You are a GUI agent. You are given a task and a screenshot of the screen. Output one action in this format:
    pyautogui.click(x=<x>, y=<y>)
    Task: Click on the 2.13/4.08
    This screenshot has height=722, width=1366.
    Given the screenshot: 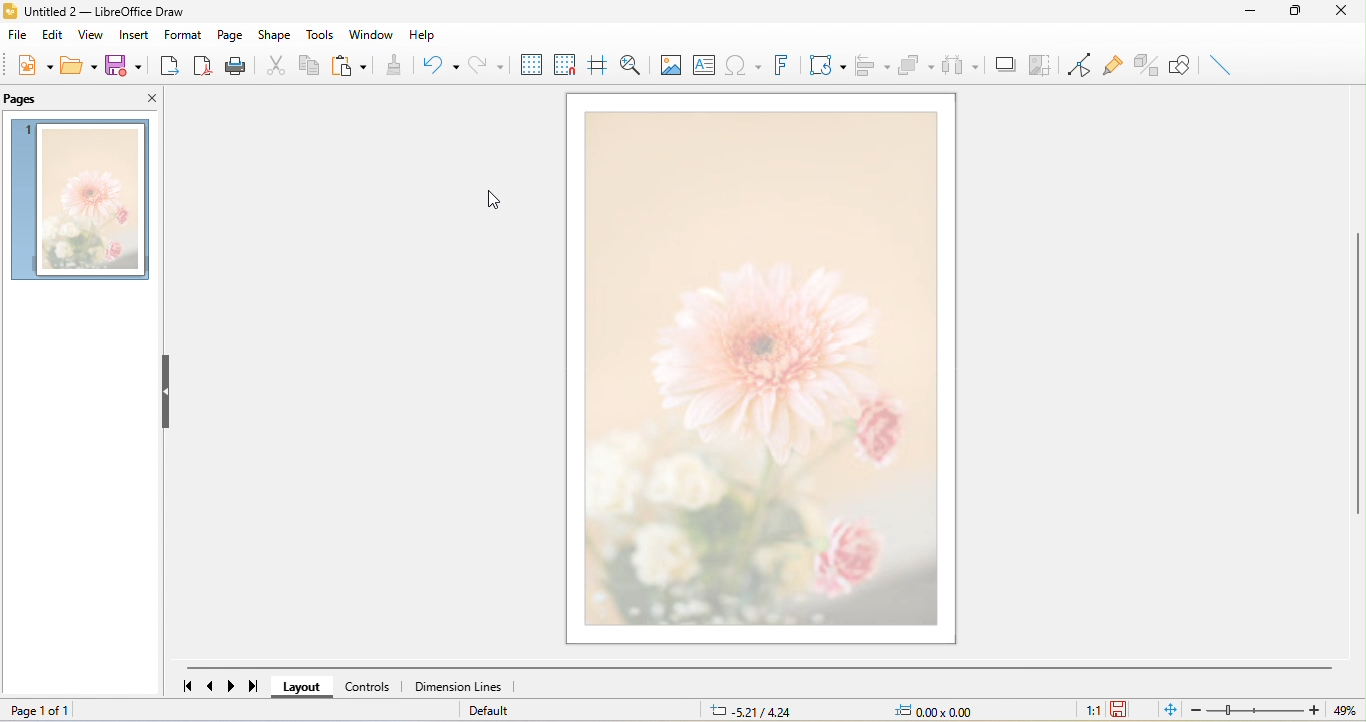 What is the action you would take?
    pyautogui.click(x=753, y=711)
    